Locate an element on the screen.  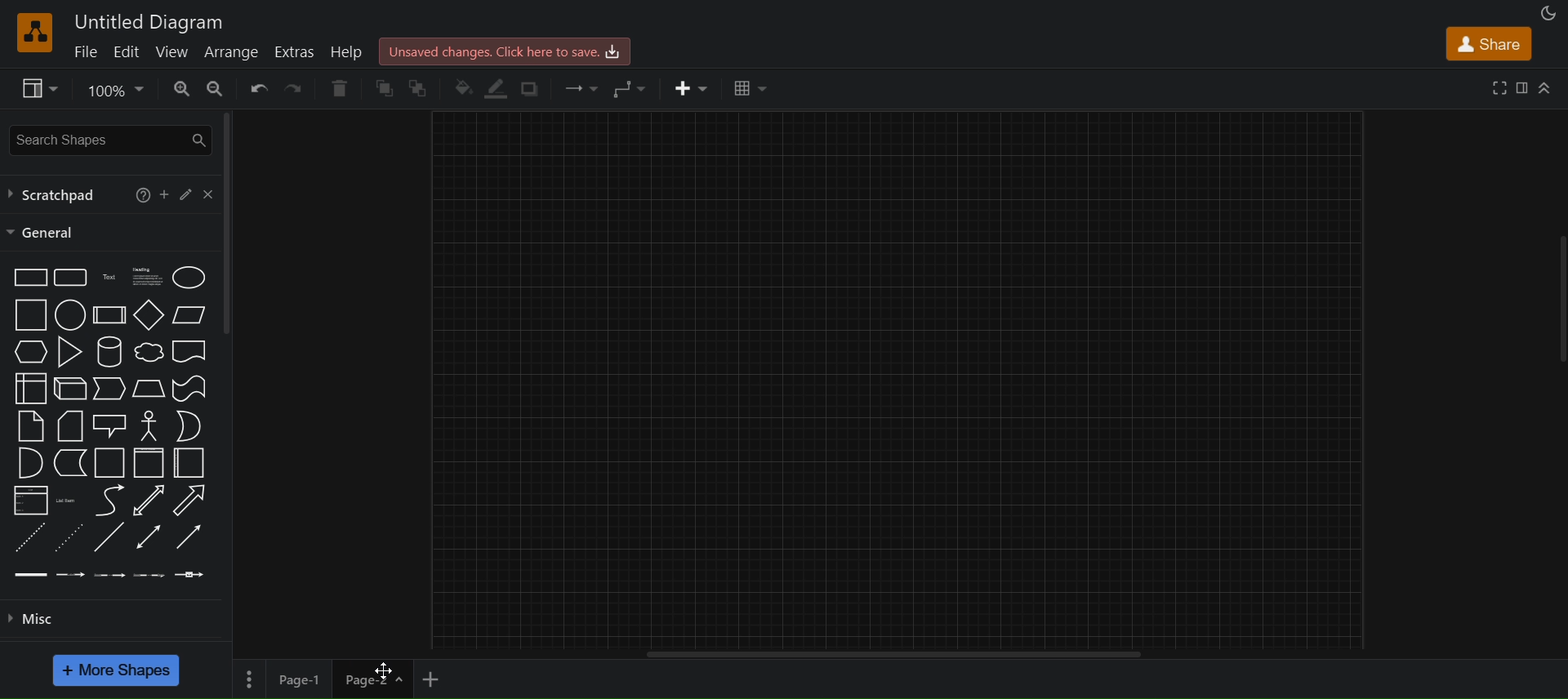
share is located at coordinates (1490, 42).